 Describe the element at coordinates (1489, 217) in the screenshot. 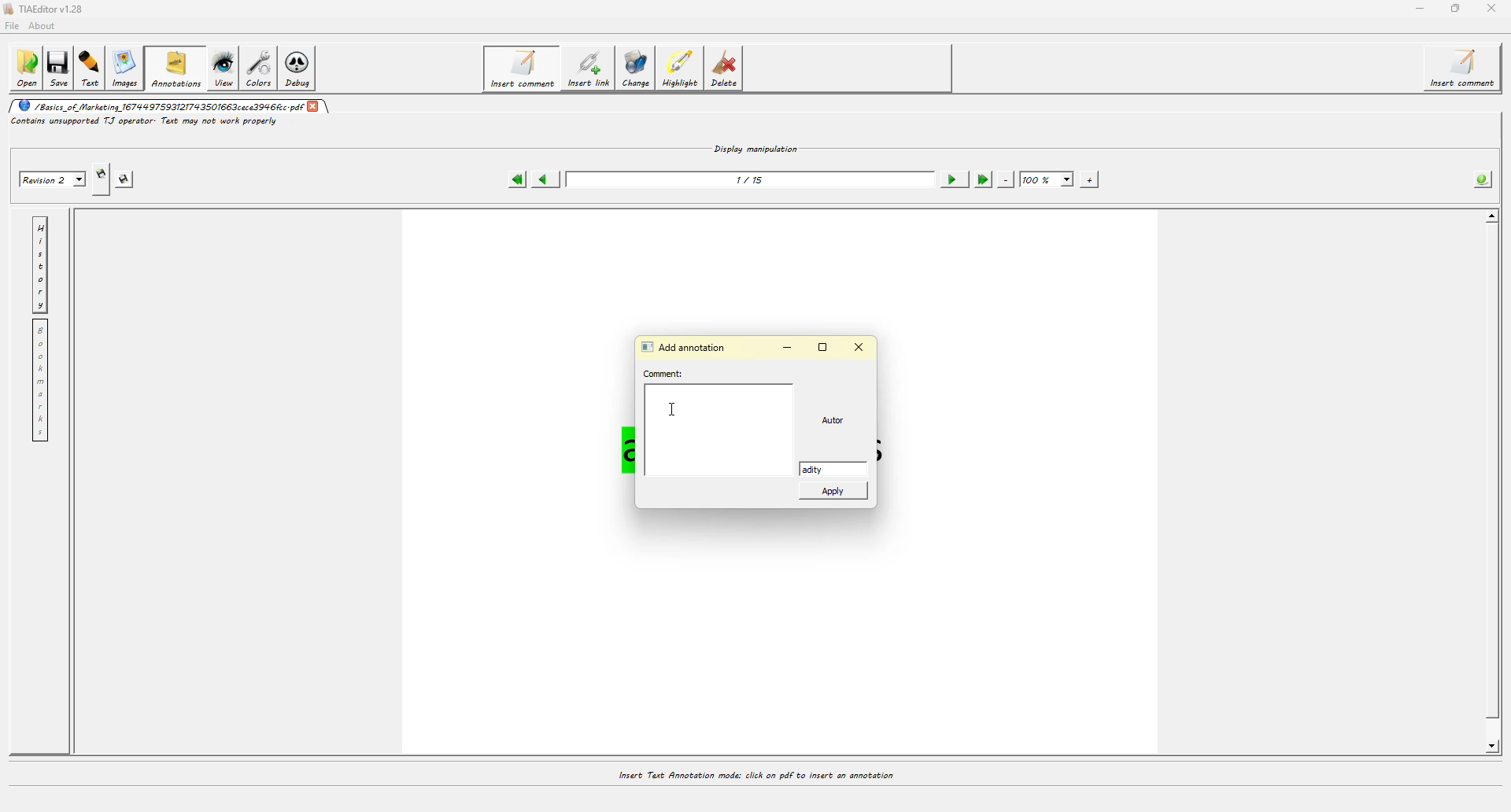

I see `scroll up` at that location.